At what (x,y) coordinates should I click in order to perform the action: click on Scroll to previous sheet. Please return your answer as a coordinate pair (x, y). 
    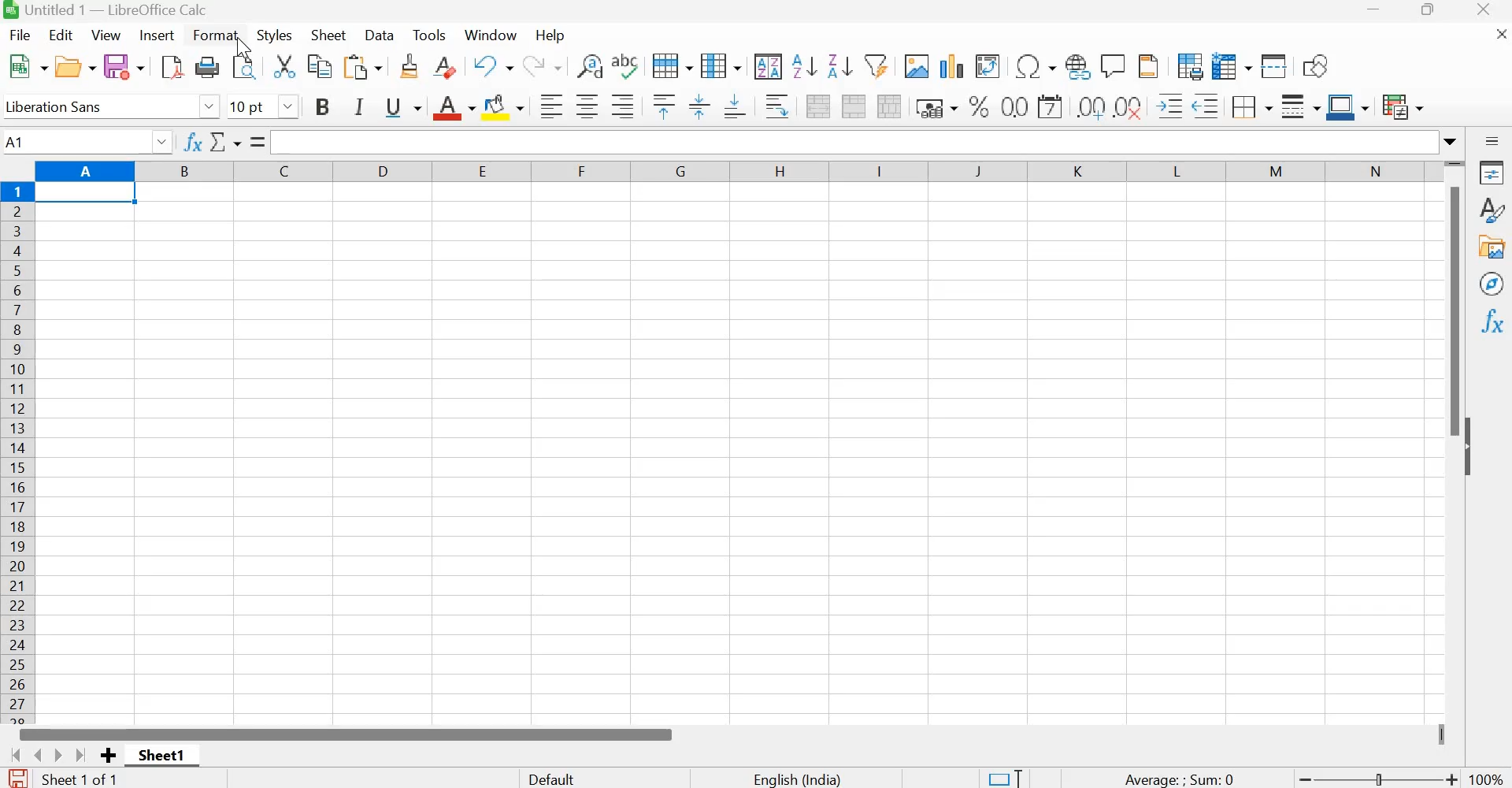
    Looking at the image, I should click on (36, 753).